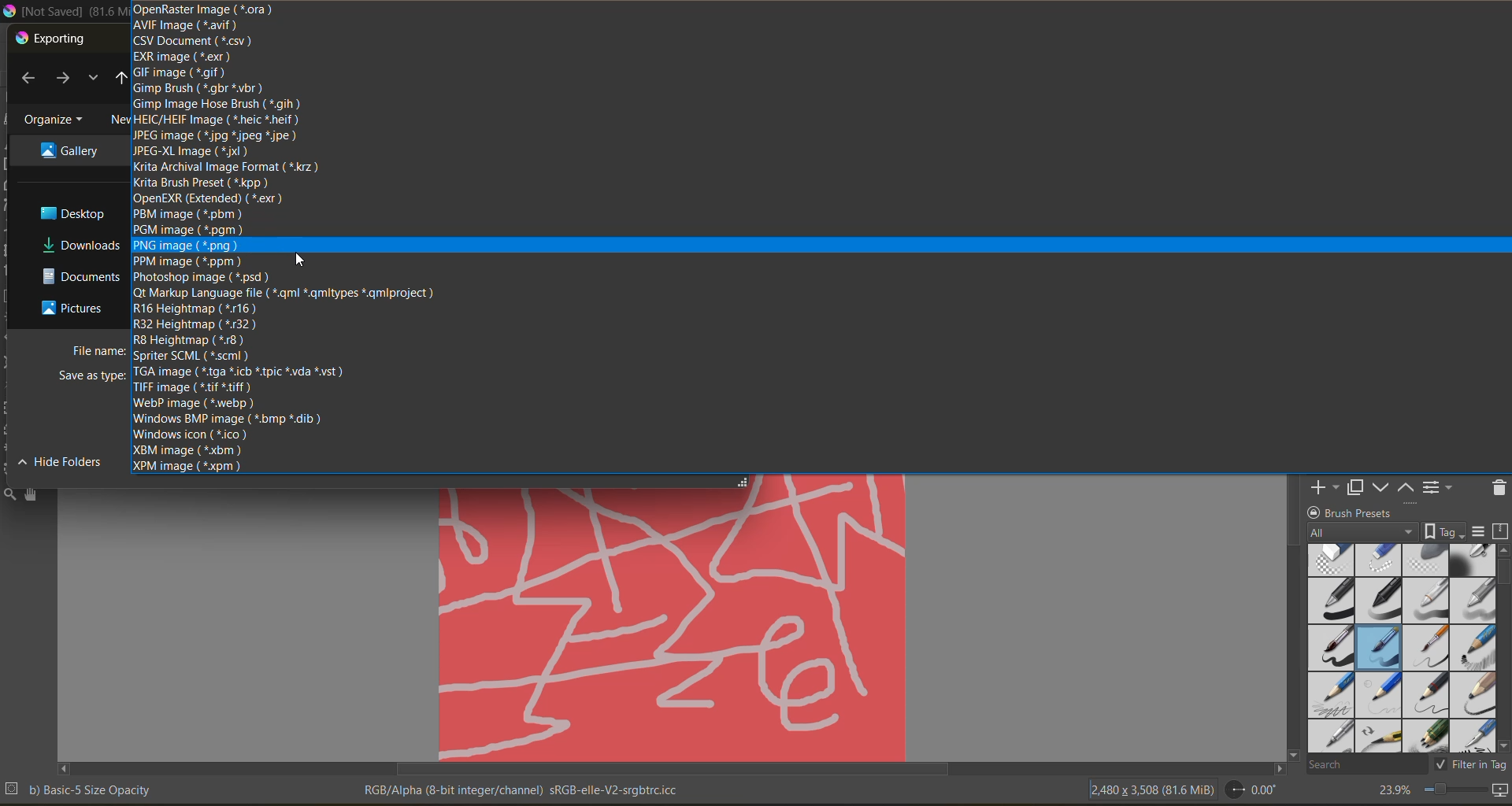 Image resolution: width=1512 pixels, height=806 pixels. Describe the element at coordinates (80, 276) in the screenshot. I see `folder destination` at that location.